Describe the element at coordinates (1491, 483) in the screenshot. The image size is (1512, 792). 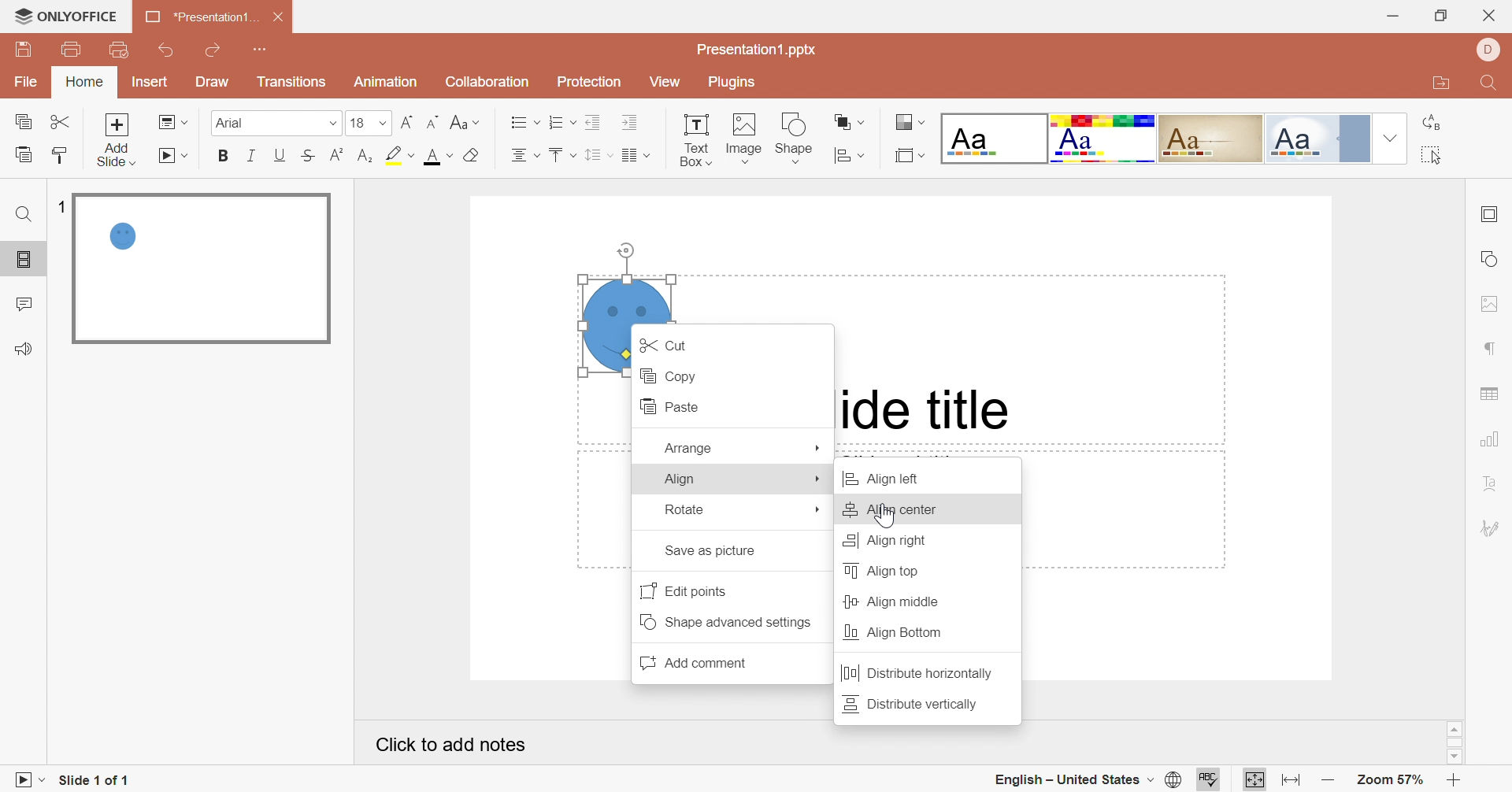
I see `Text Art settings` at that location.